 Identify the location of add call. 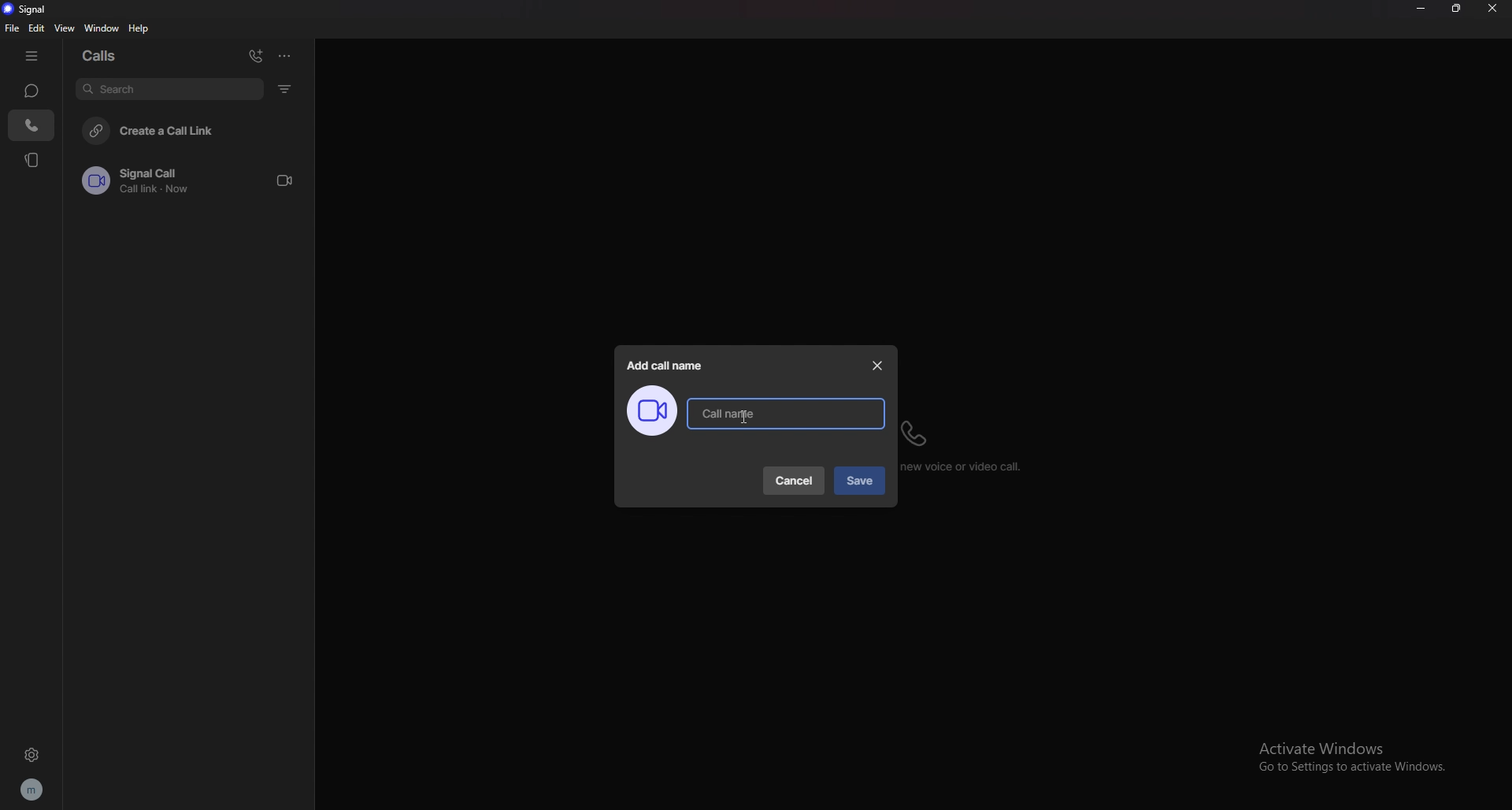
(256, 56).